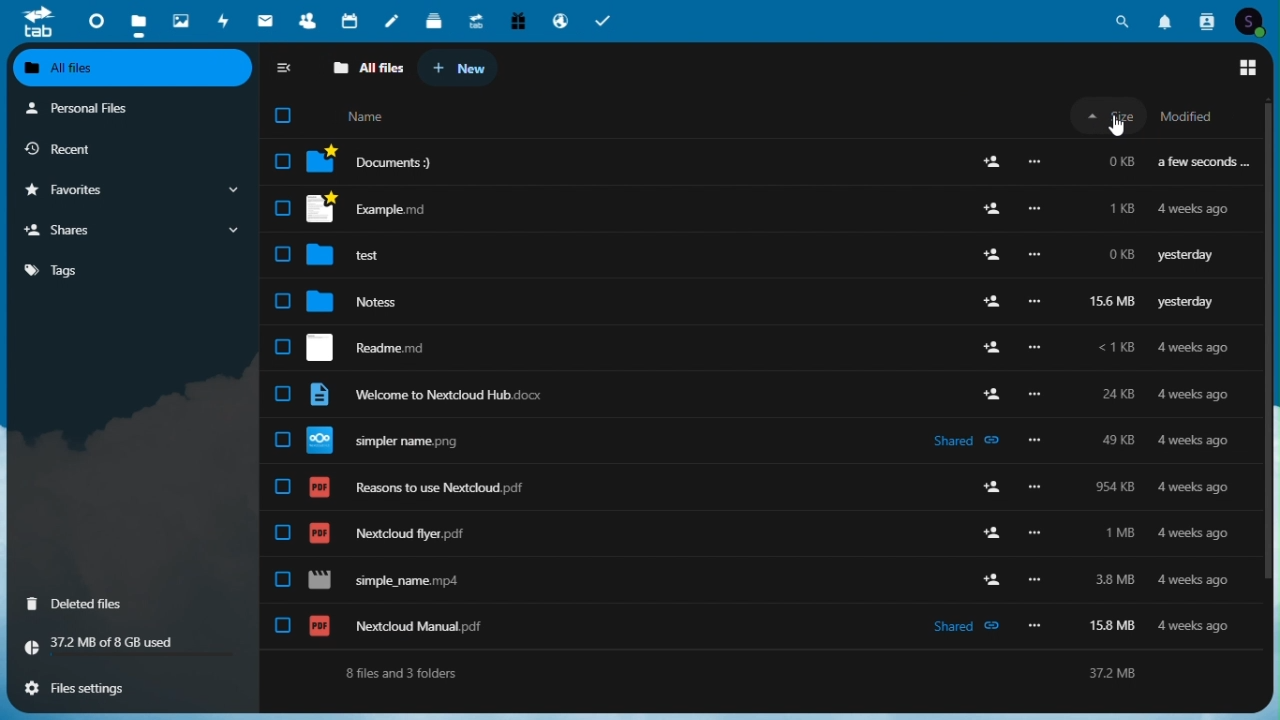  What do you see at coordinates (1270, 339) in the screenshot?
I see `Vertical scrollbar` at bounding box center [1270, 339].